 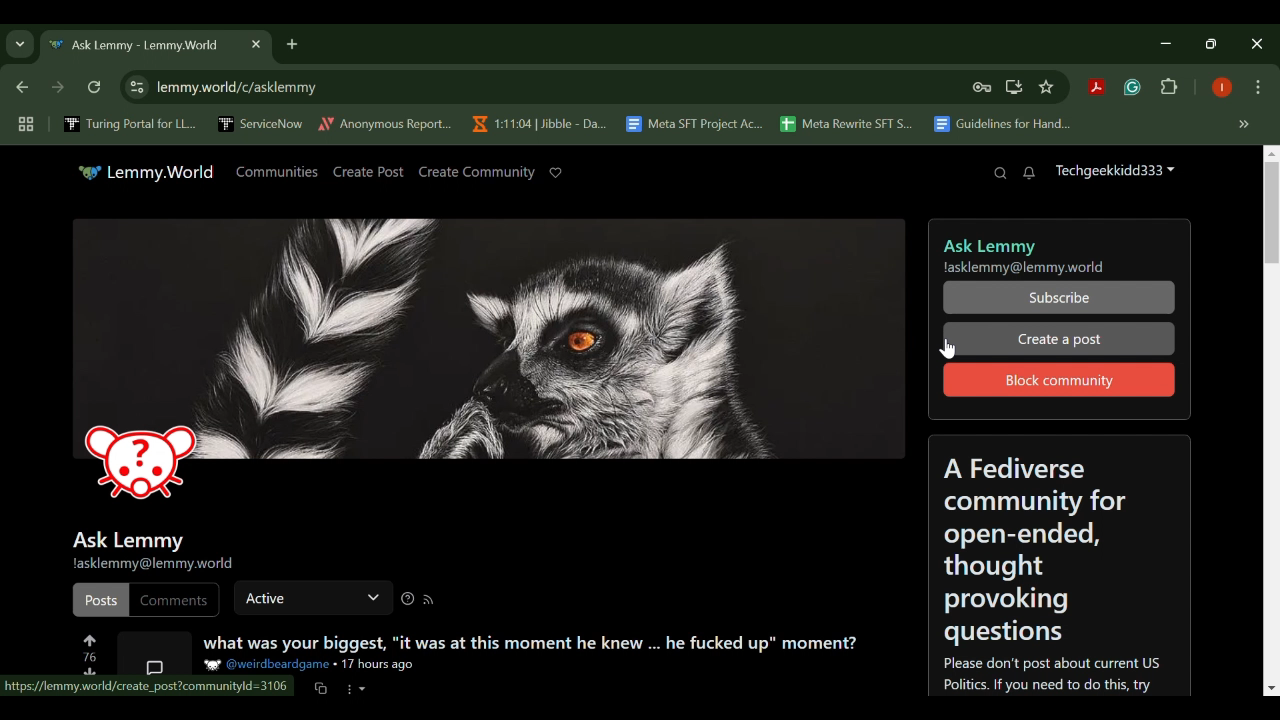 What do you see at coordinates (277, 171) in the screenshot?
I see `Communities Page` at bounding box center [277, 171].